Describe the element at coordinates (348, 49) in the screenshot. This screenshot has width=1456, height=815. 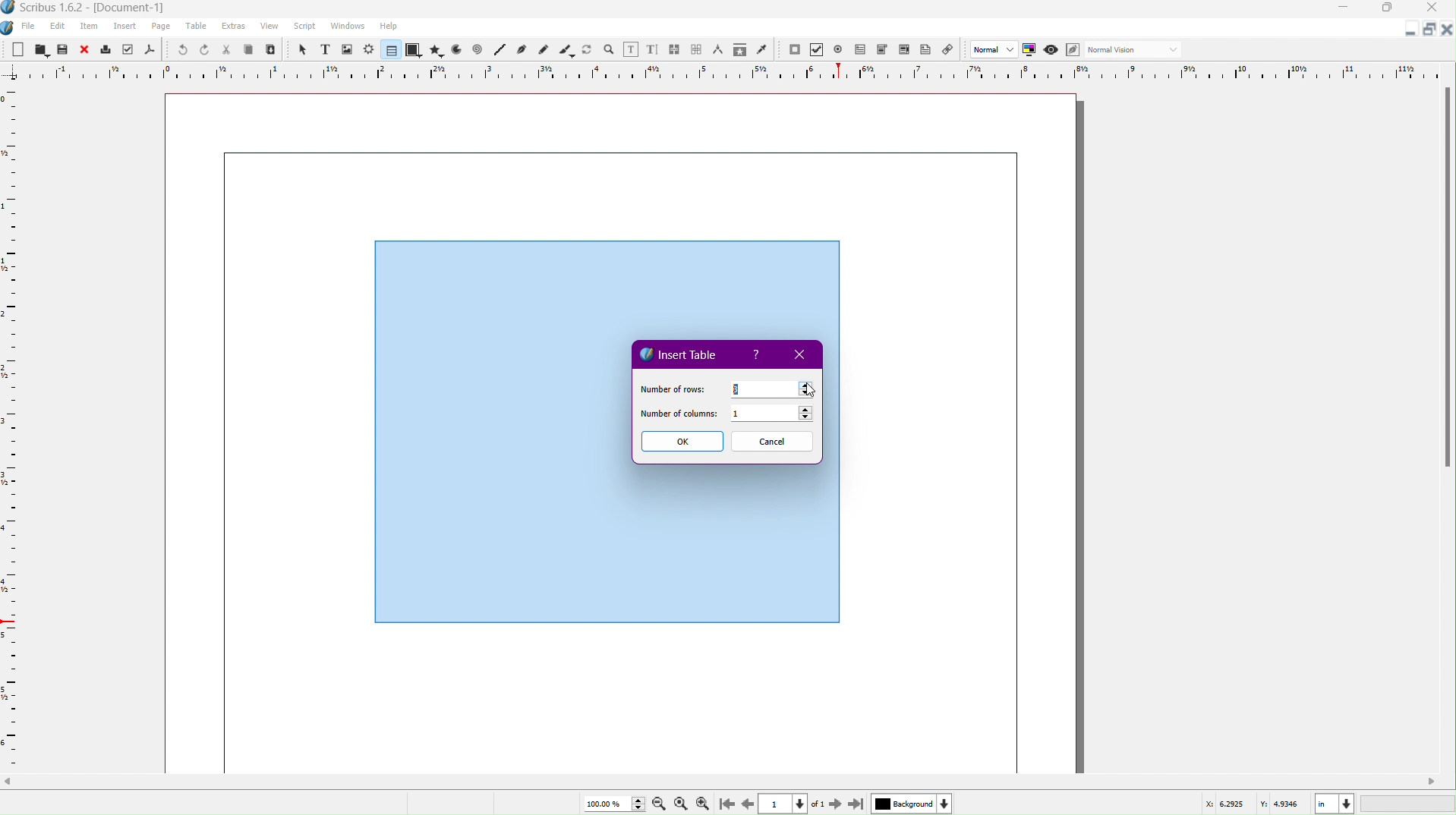
I see `Image Frame` at that location.